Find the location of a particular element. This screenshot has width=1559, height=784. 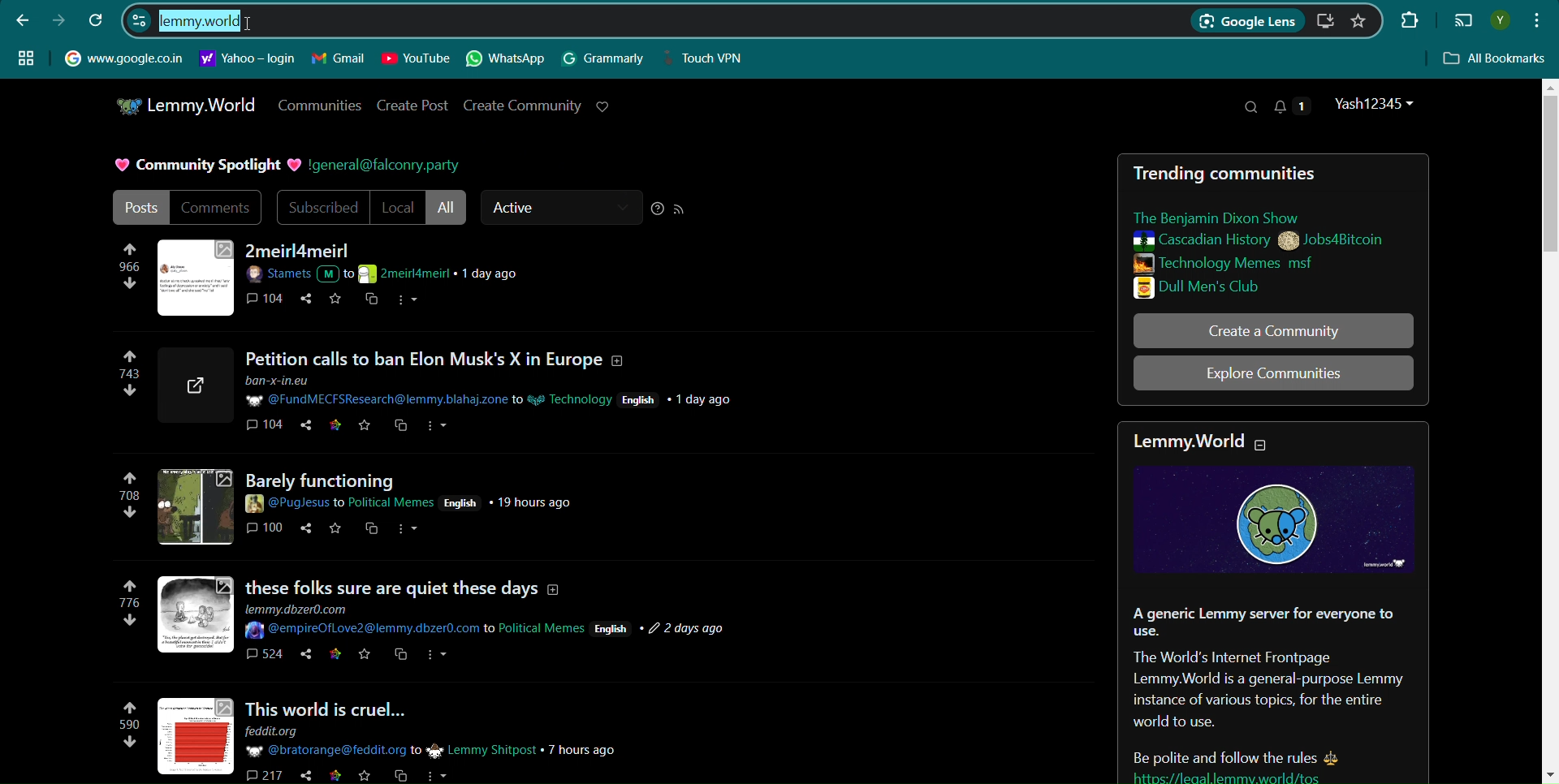

copy is located at coordinates (371, 534).